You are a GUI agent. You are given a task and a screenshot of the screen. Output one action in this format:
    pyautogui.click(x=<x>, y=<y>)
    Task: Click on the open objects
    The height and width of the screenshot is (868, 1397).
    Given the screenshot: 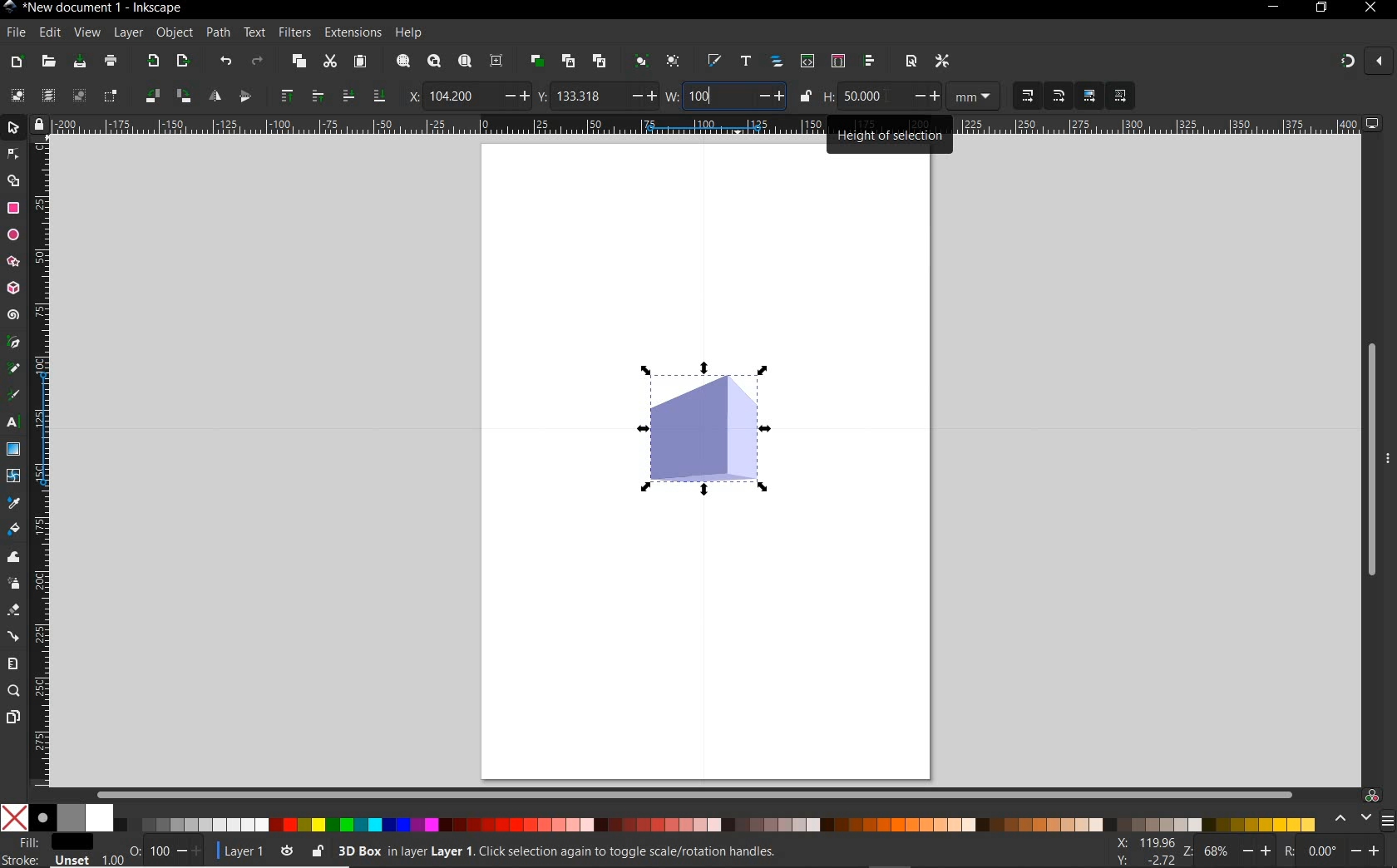 What is the action you would take?
    pyautogui.click(x=777, y=60)
    